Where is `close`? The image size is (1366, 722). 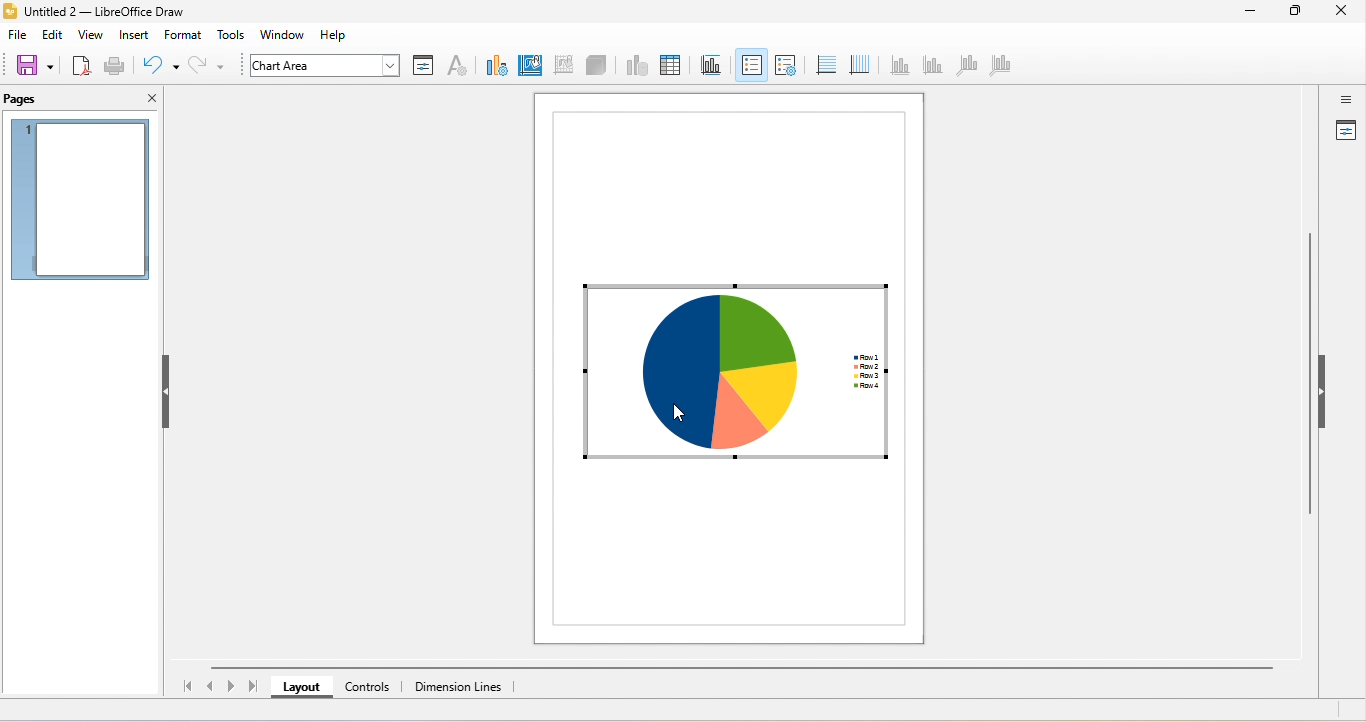
close is located at coordinates (1343, 12).